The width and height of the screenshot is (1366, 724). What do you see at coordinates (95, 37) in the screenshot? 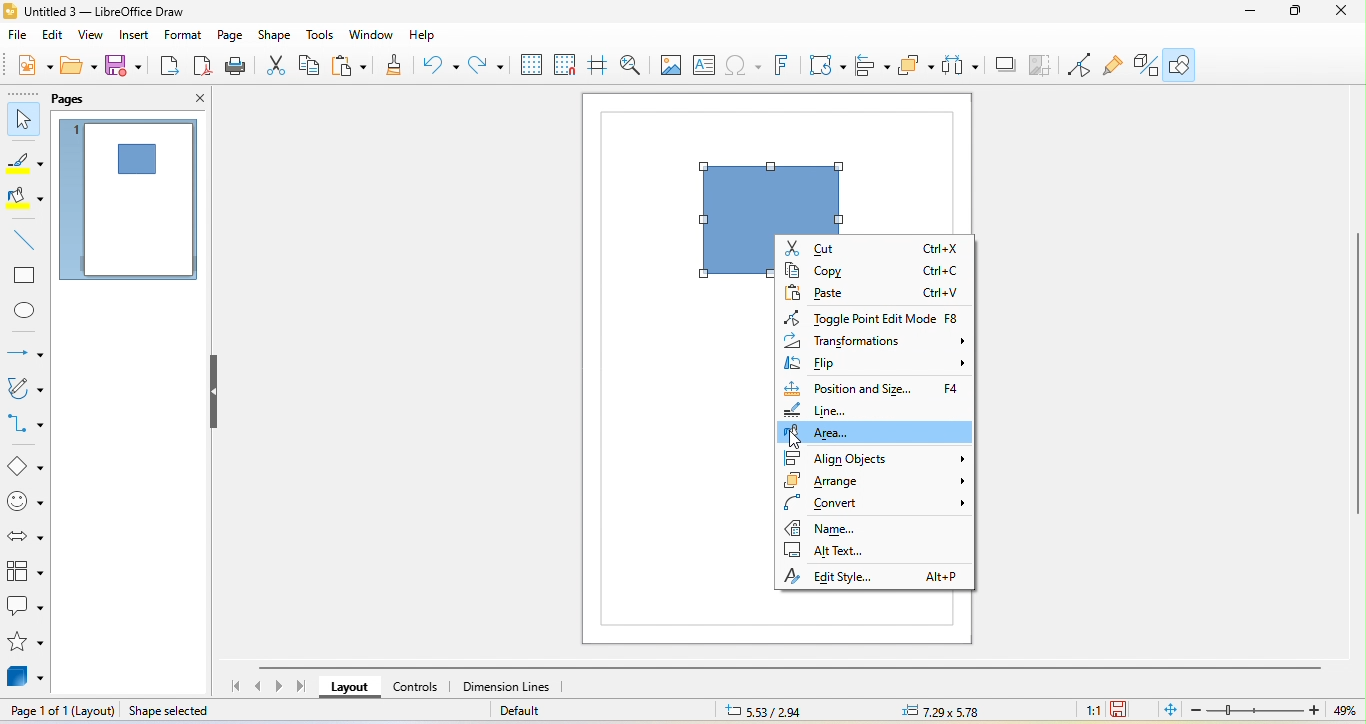
I see `view` at bounding box center [95, 37].